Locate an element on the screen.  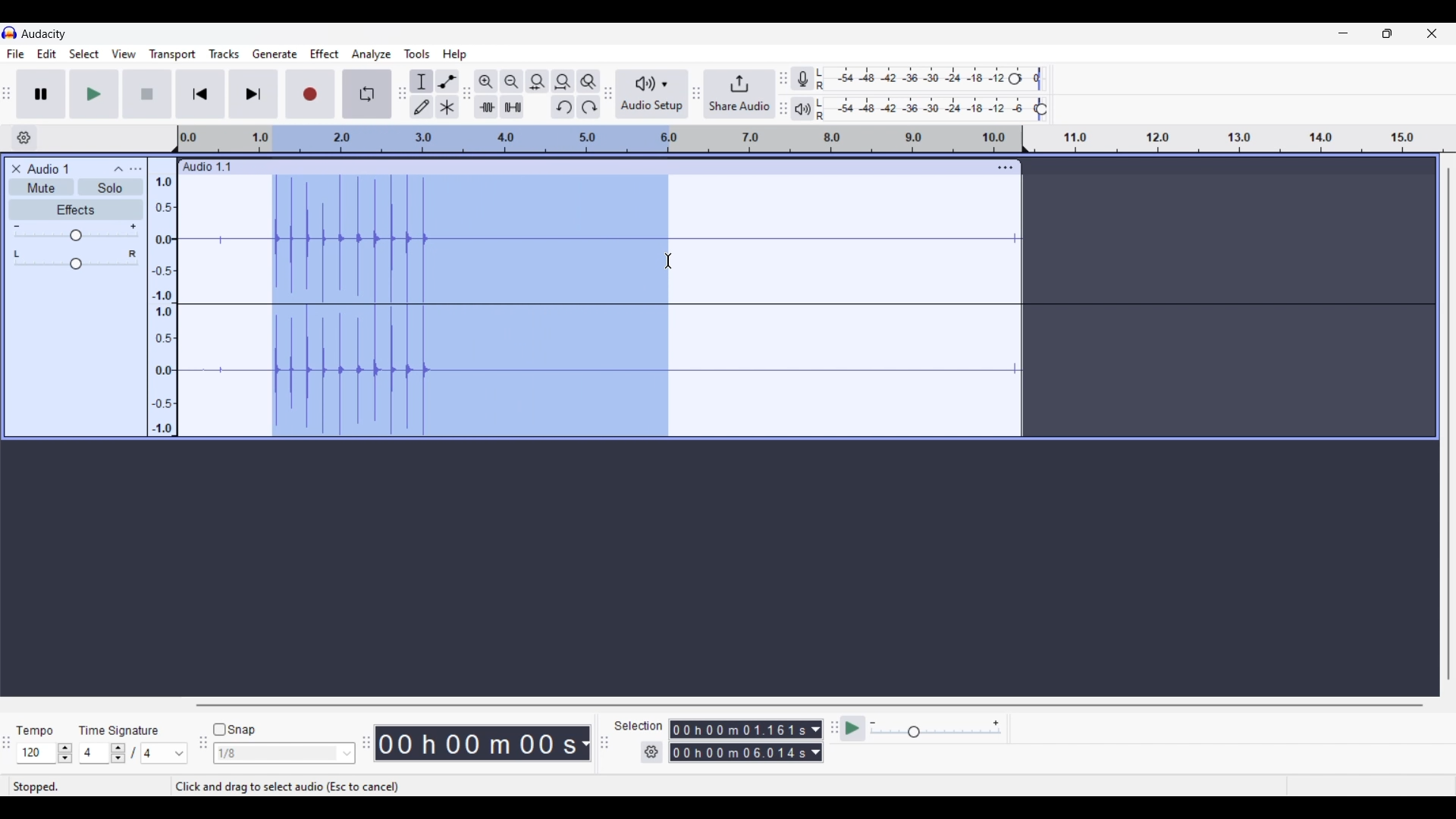
Pan to right is located at coordinates (133, 254).